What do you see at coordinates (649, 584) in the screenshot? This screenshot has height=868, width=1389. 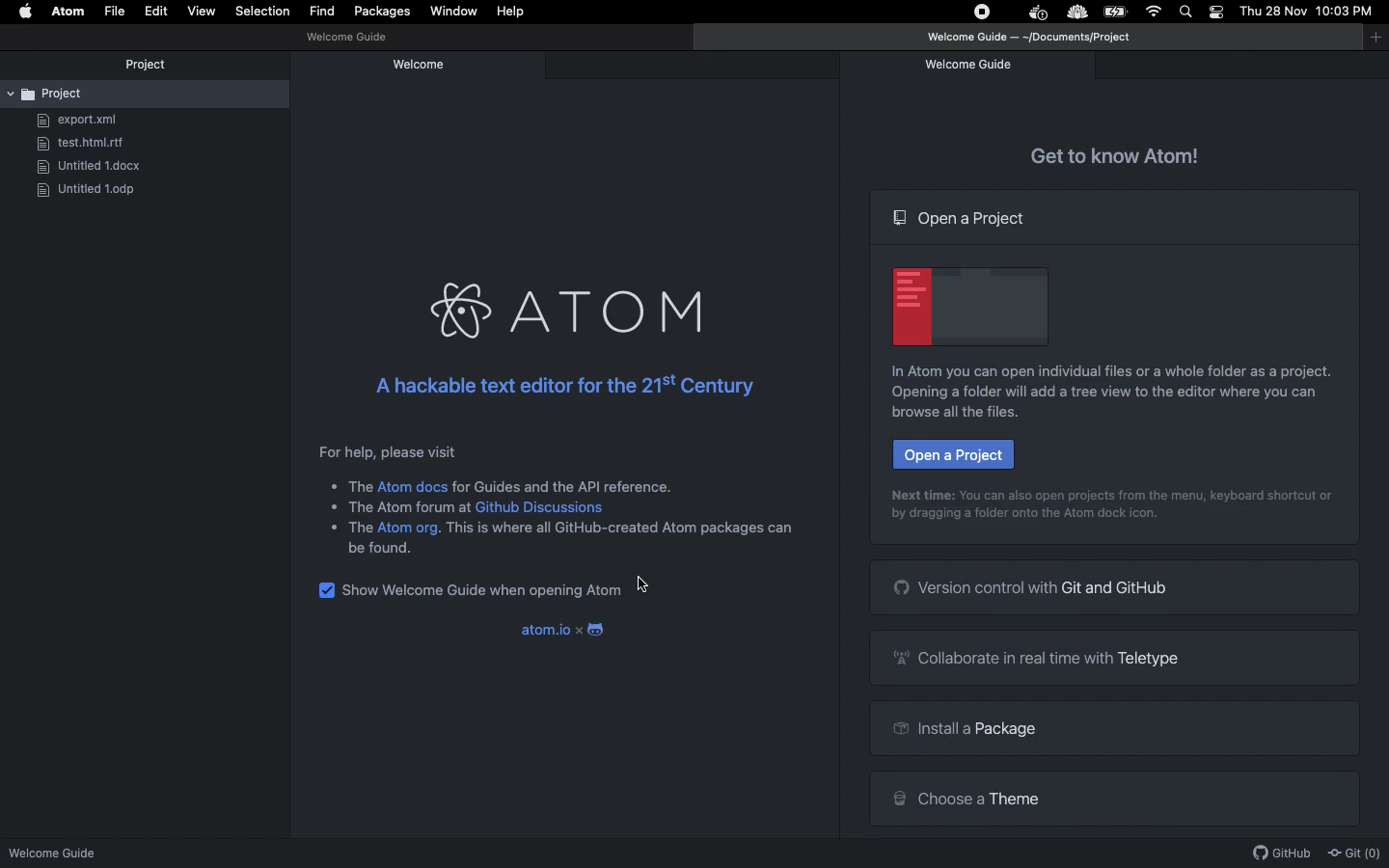 I see `crusor` at bounding box center [649, 584].